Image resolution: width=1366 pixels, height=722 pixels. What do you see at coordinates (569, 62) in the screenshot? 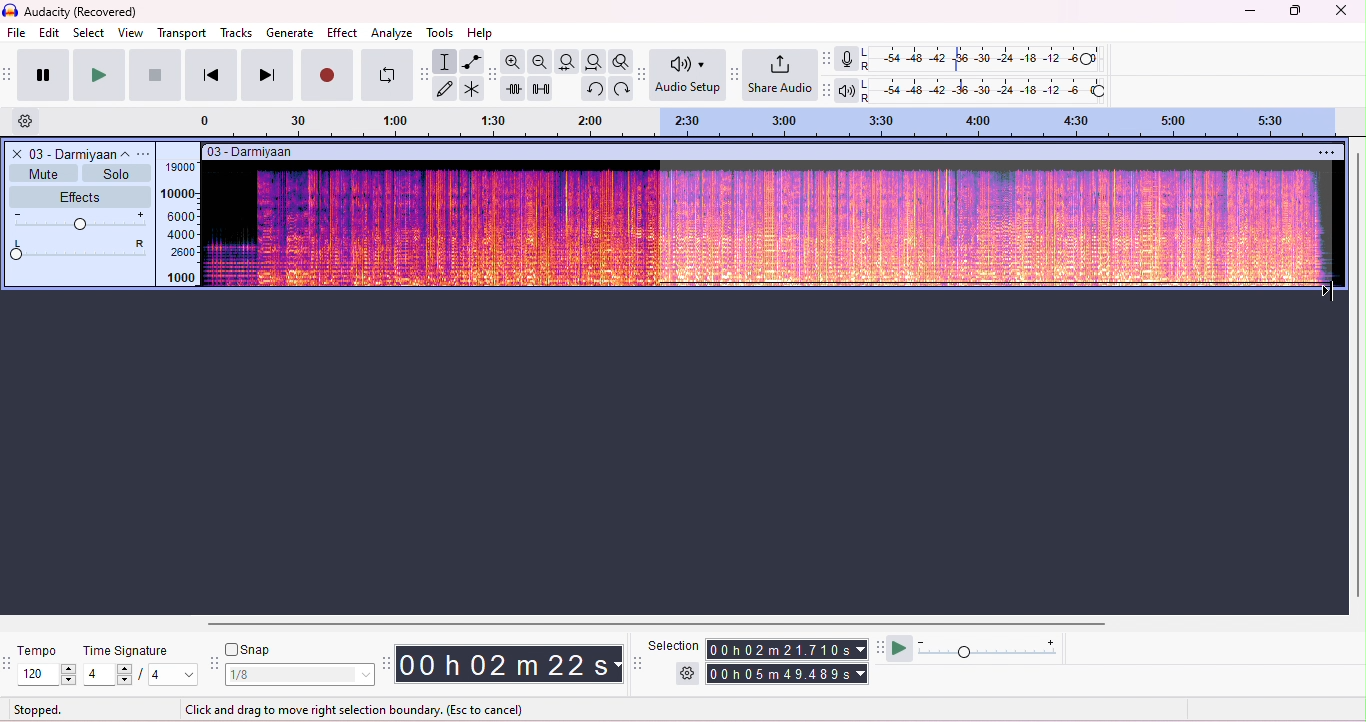
I see `fit selection to width` at bounding box center [569, 62].